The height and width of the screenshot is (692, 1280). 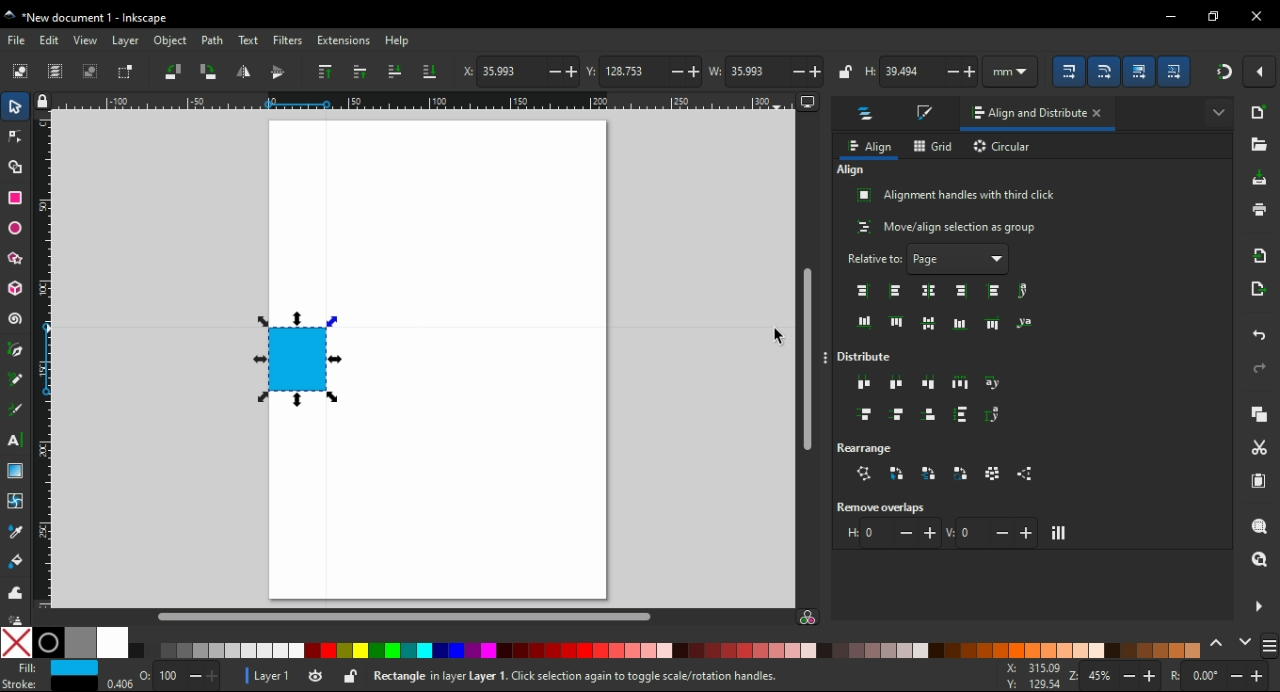 What do you see at coordinates (1263, 70) in the screenshot?
I see `snap options` at bounding box center [1263, 70].